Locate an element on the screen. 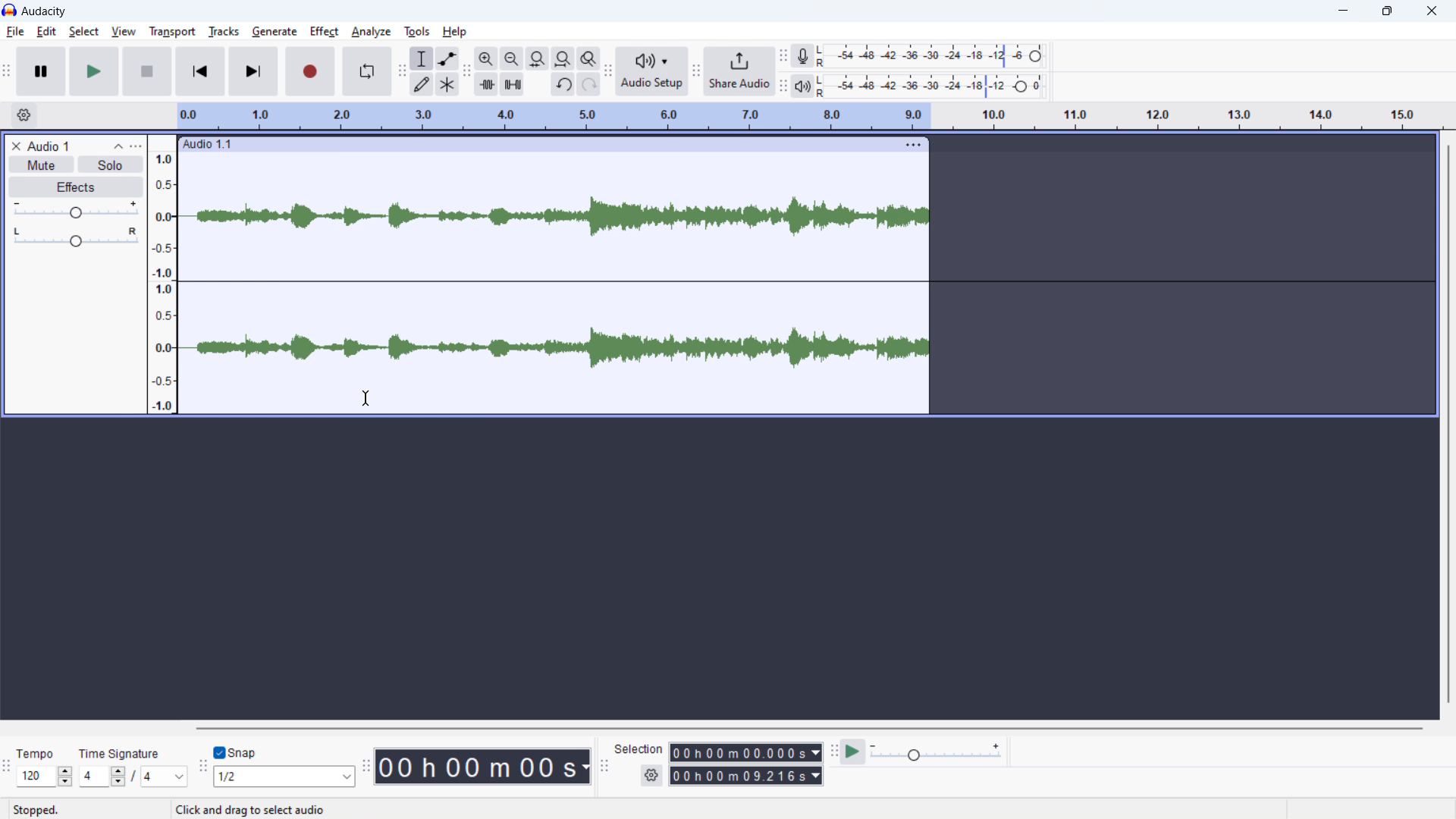 This screenshot has height=819, width=1456. mute is located at coordinates (40, 165).